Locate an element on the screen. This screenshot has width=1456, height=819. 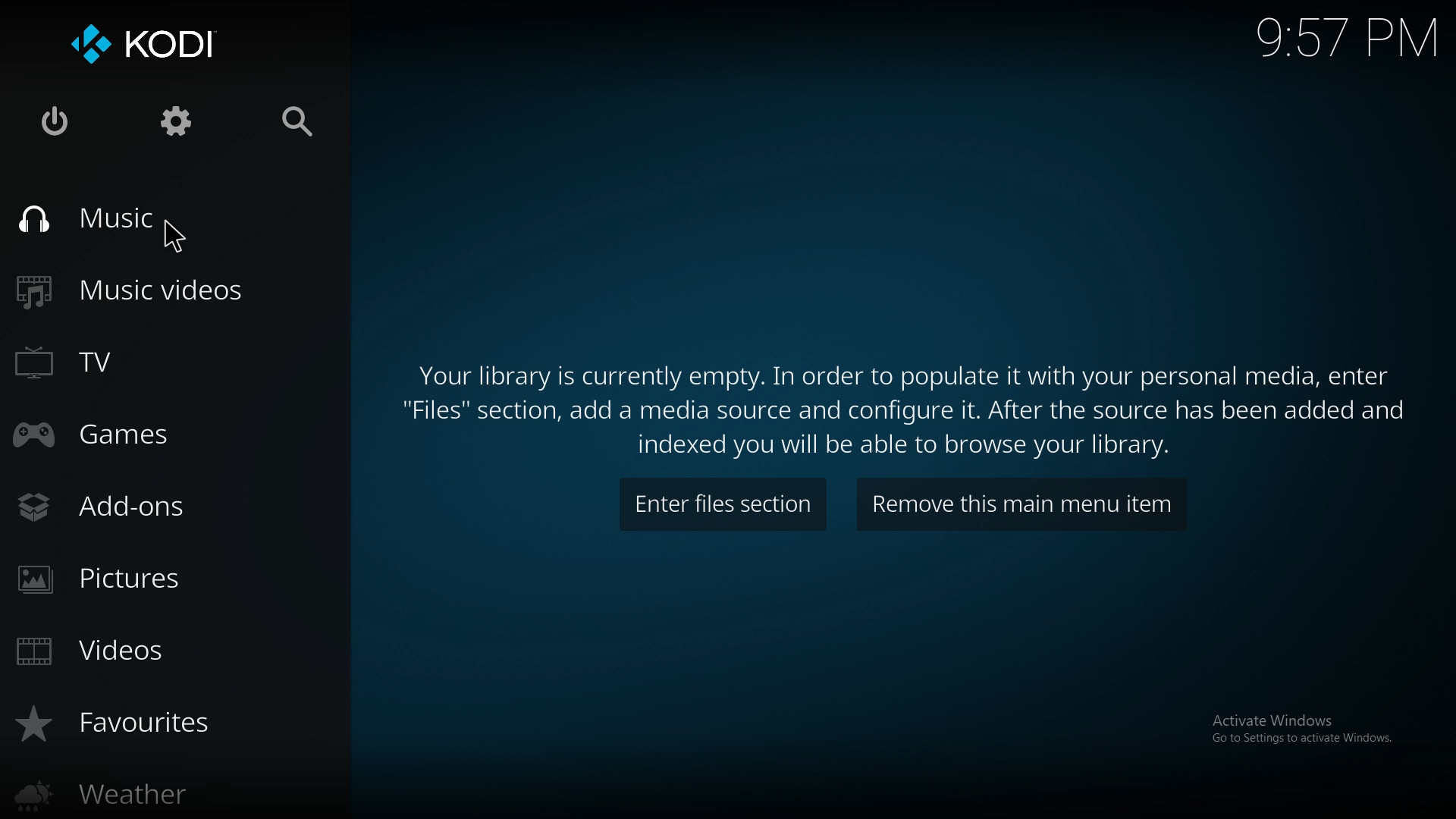
search is located at coordinates (301, 120).